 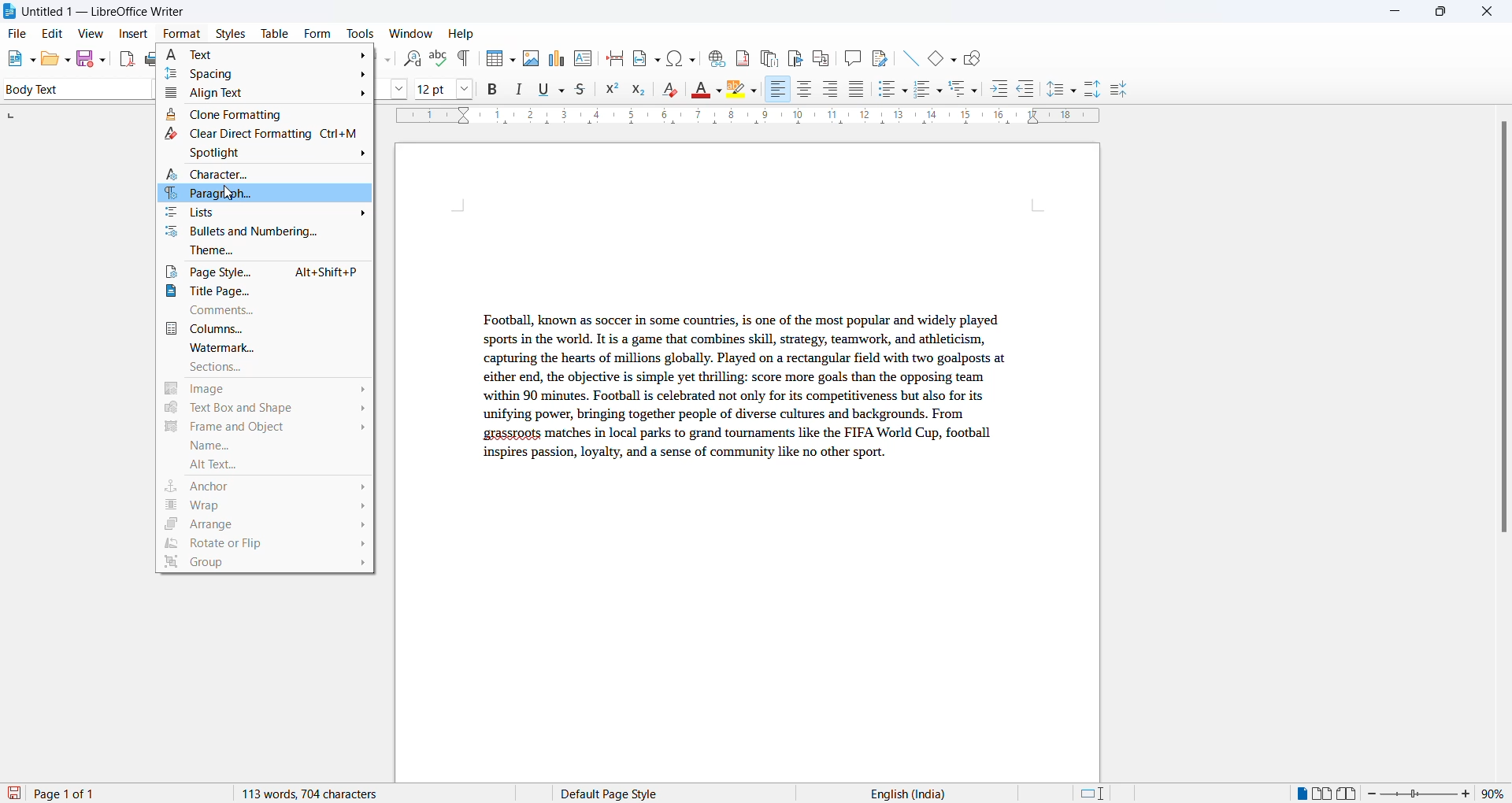 I want to click on scaling, so click(x=763, y=117).